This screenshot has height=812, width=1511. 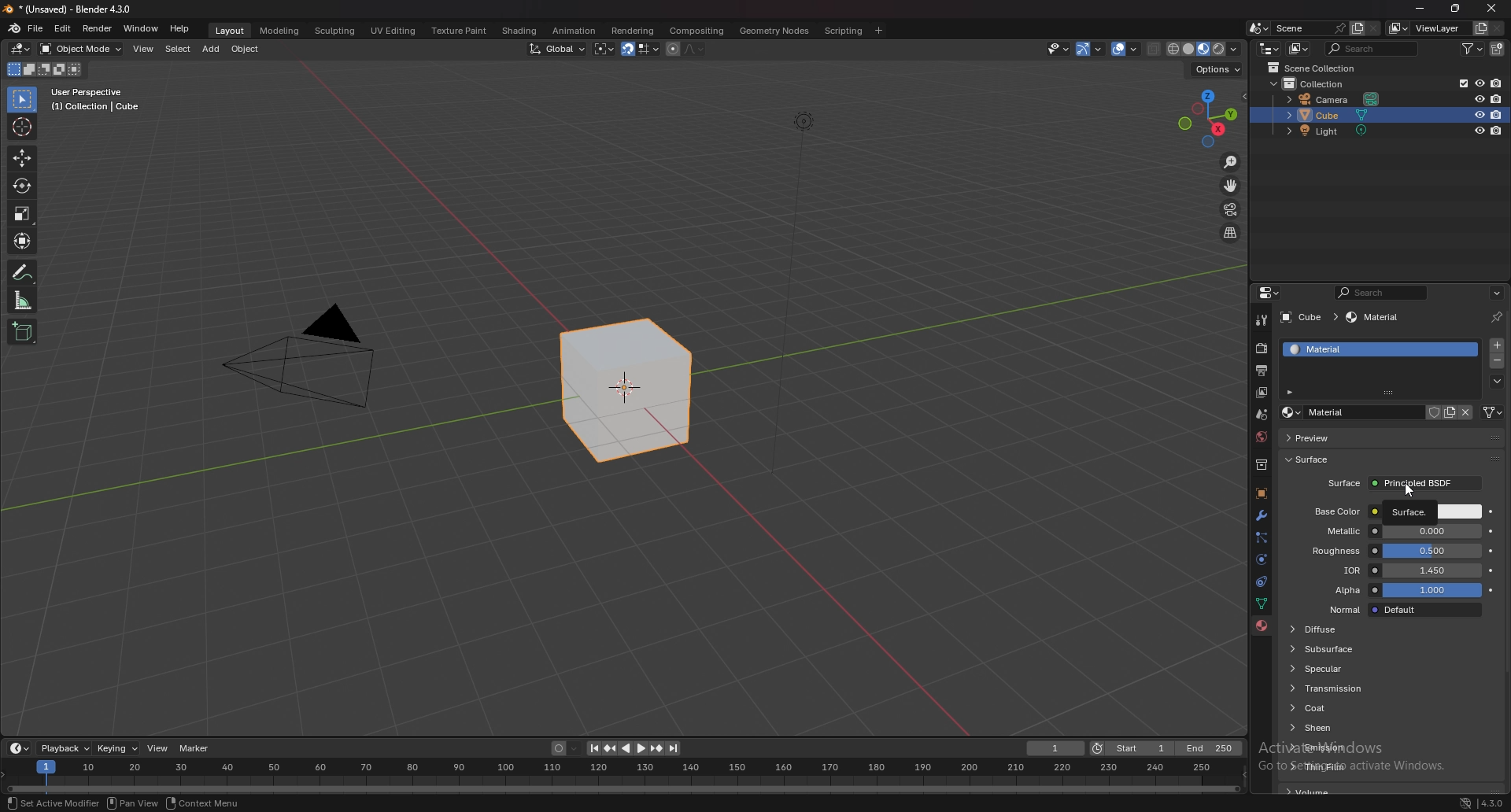 What do you see at coordinates (1497, 382) in the screenshot?
I see `dropdown` at bounding box center [1497, 382].